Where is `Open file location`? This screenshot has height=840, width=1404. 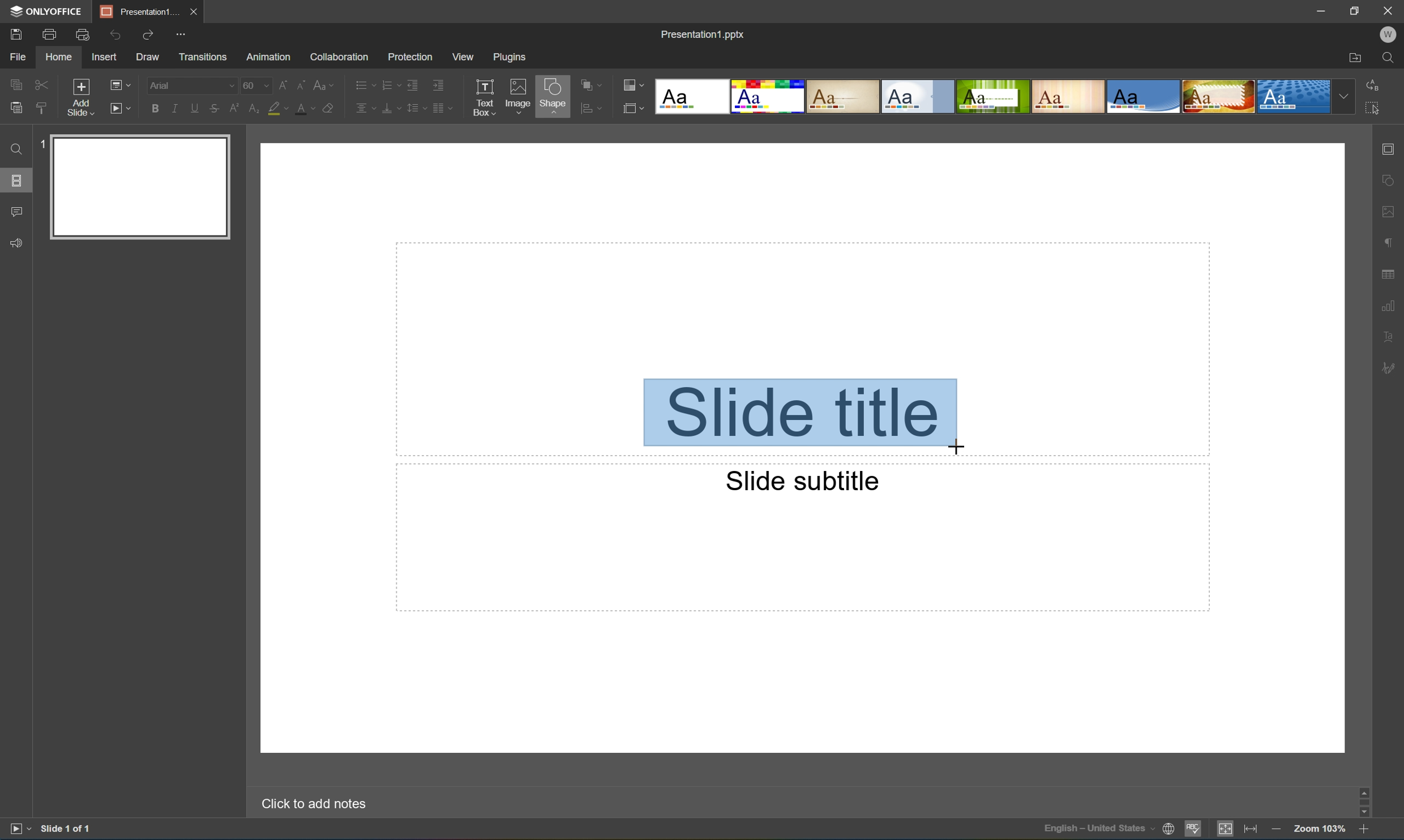 Open file location is located at coordinates (1354, 58).